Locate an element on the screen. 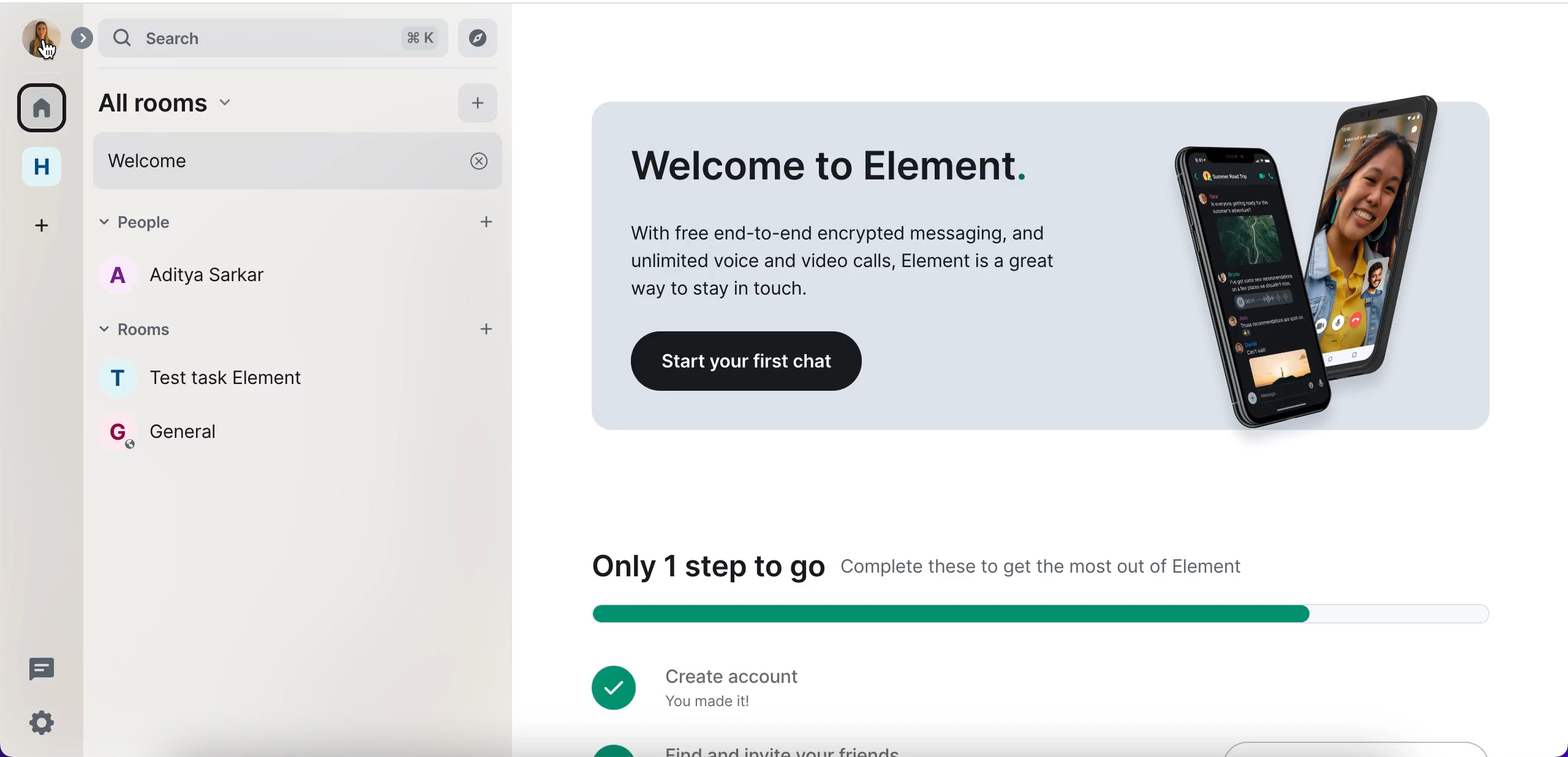  create account you made it is located at coordinates (697, 685).